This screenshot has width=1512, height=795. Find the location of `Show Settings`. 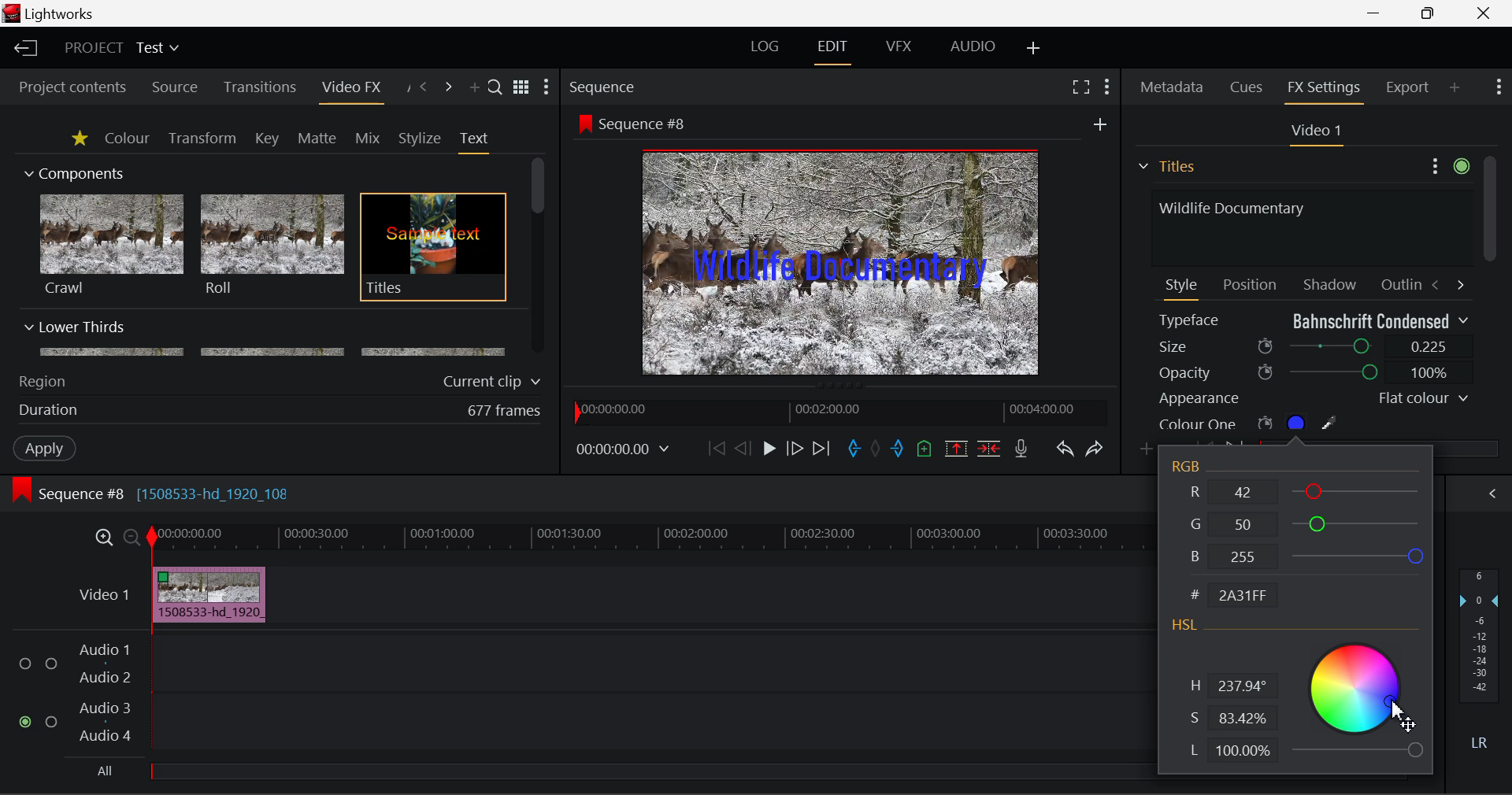

Show Settings is located at coordinates (547, 87).